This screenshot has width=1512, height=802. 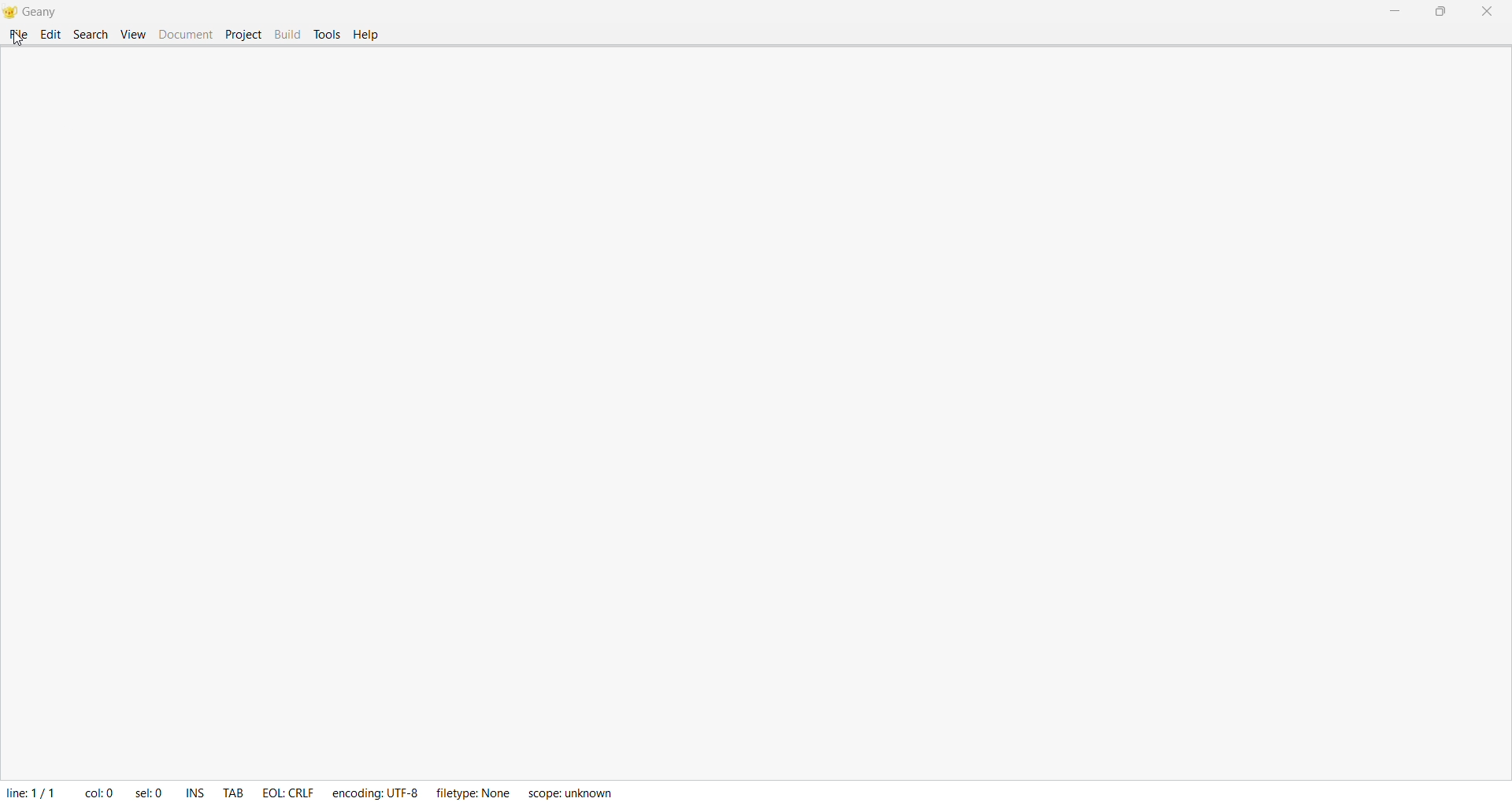 What do you see at coordinates (151, 791) in the screenshot?
I see `Sel: 0` at bounding box center [151, 791].